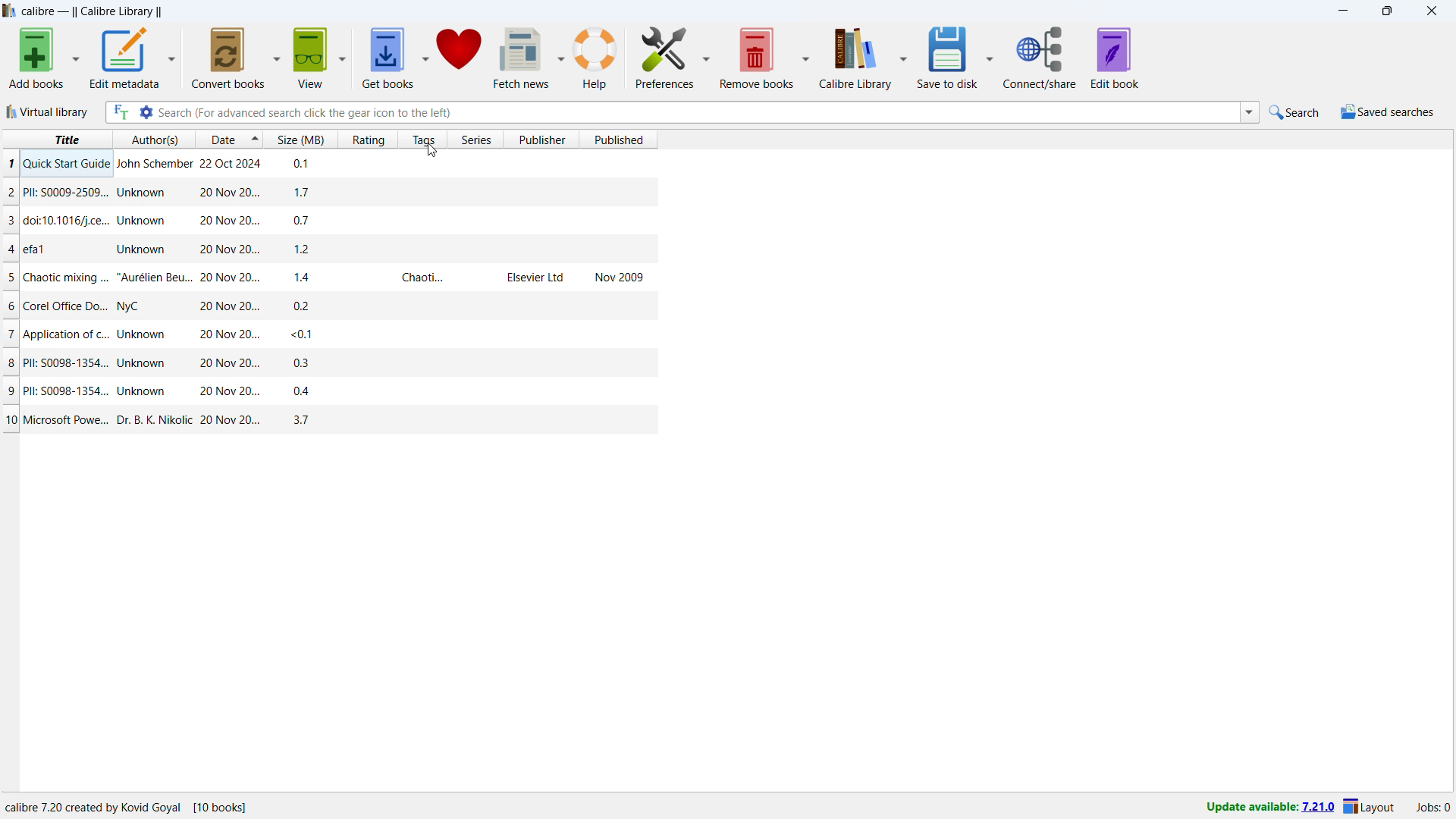 Image resolution: width=1456 pixels, height=819 pixels. I want to click on sort by size, so click(303, 139).